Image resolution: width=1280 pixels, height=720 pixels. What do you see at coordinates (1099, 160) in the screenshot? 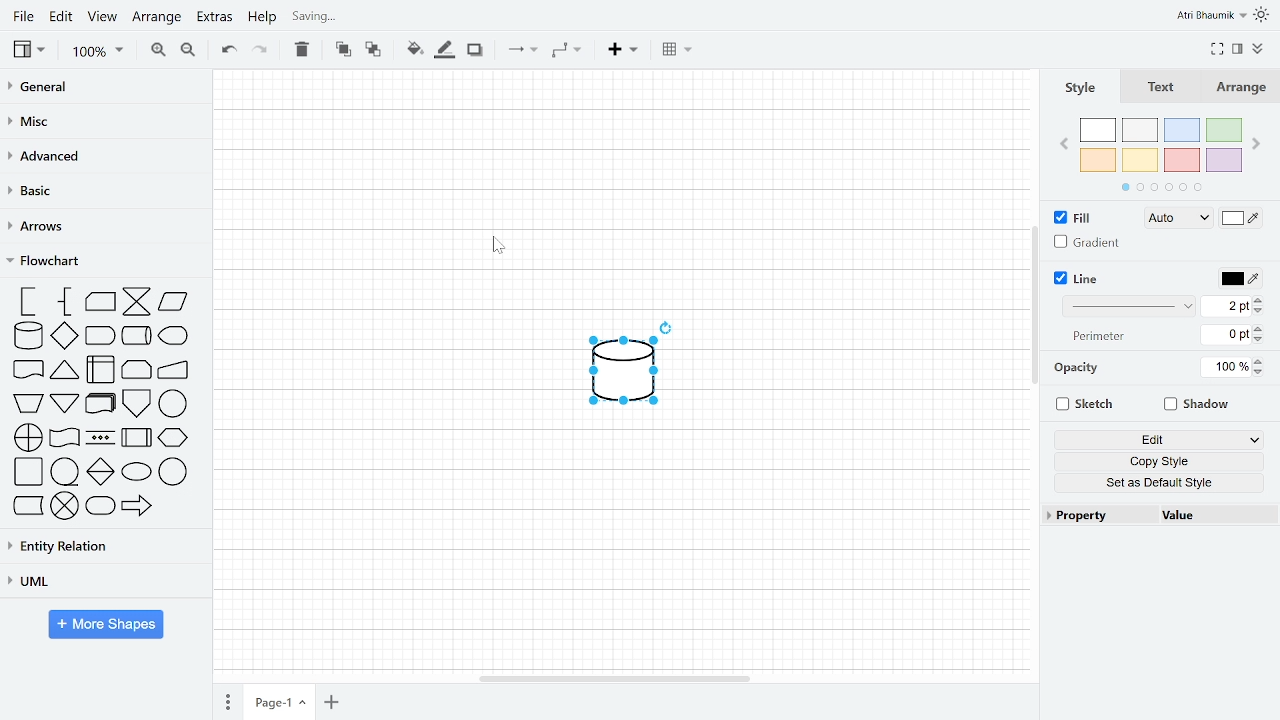
I see `orange` at bounding box center [1099, 160].